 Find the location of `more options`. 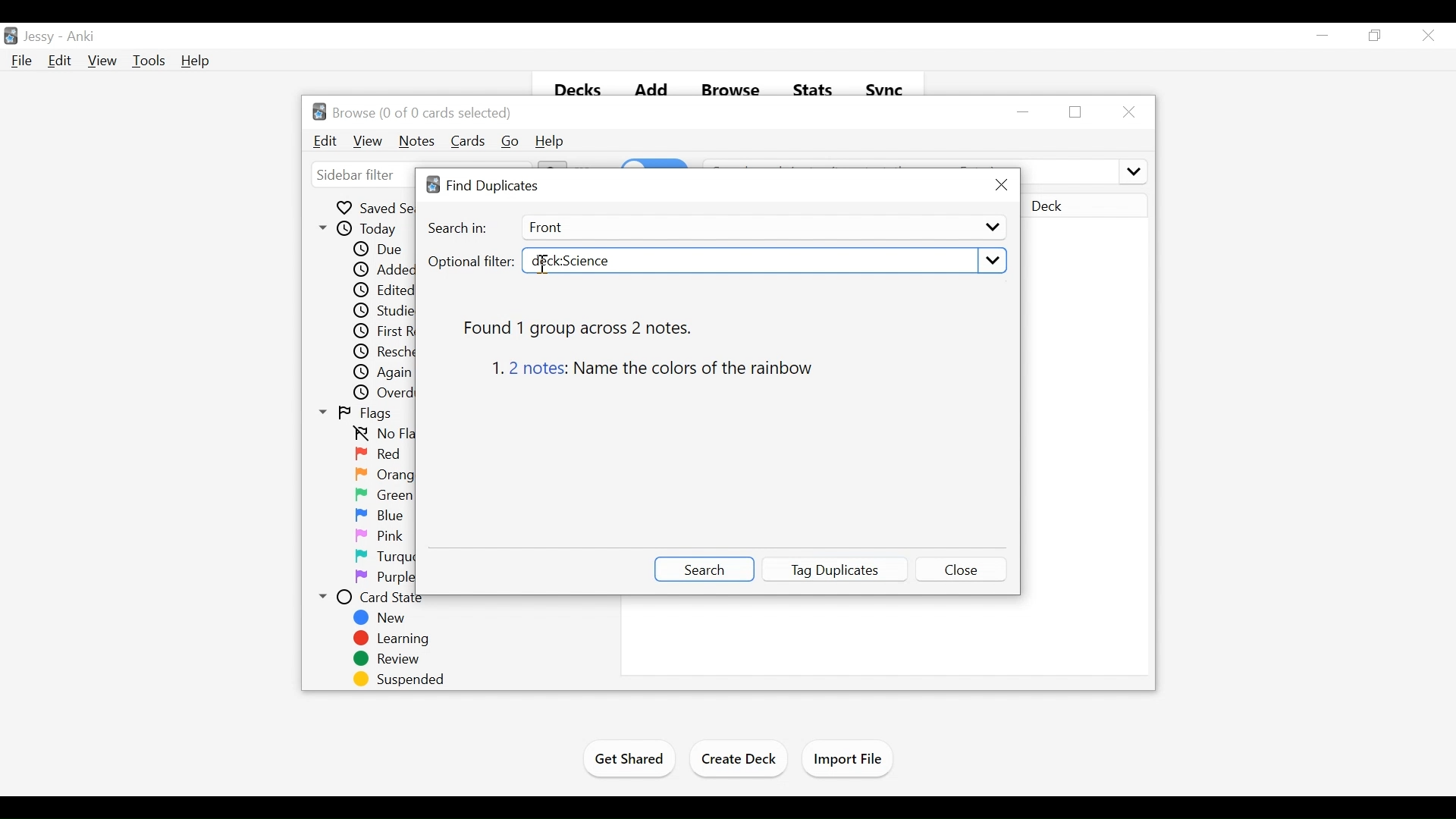

more options is located at coordinates (1131, 170).